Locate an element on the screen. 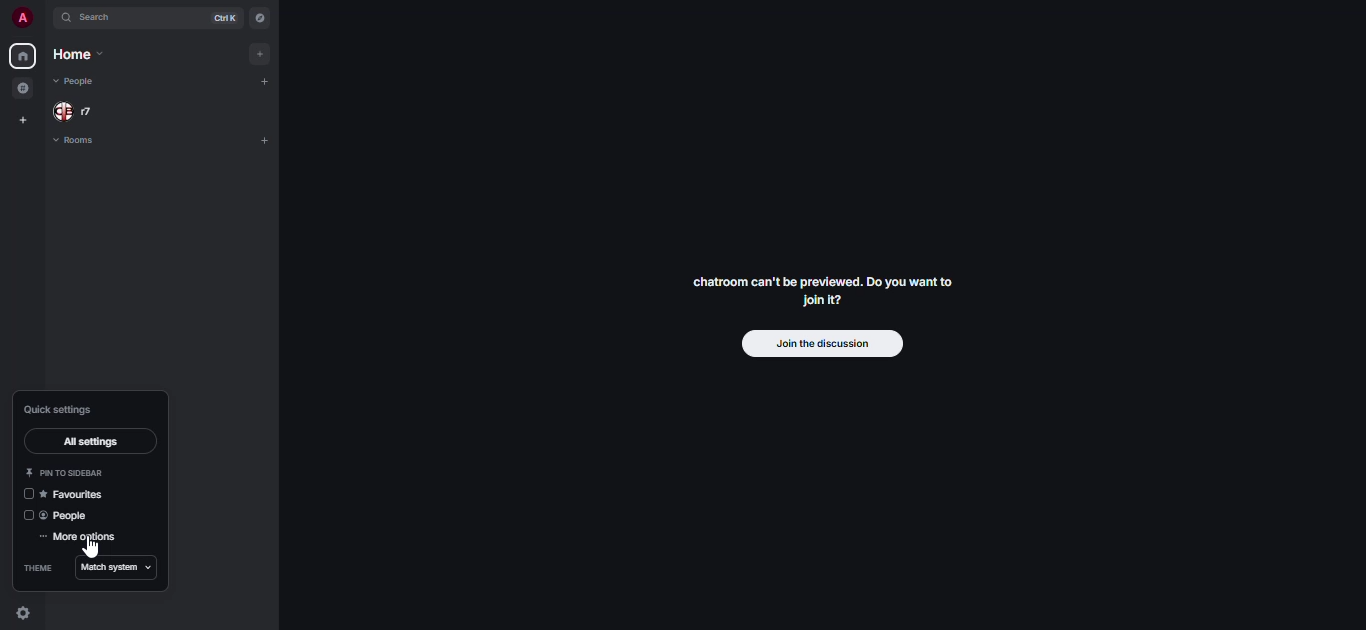 The height and width of the screenshot is (630, 1366). quick settings is located at coordinates (26, 611).